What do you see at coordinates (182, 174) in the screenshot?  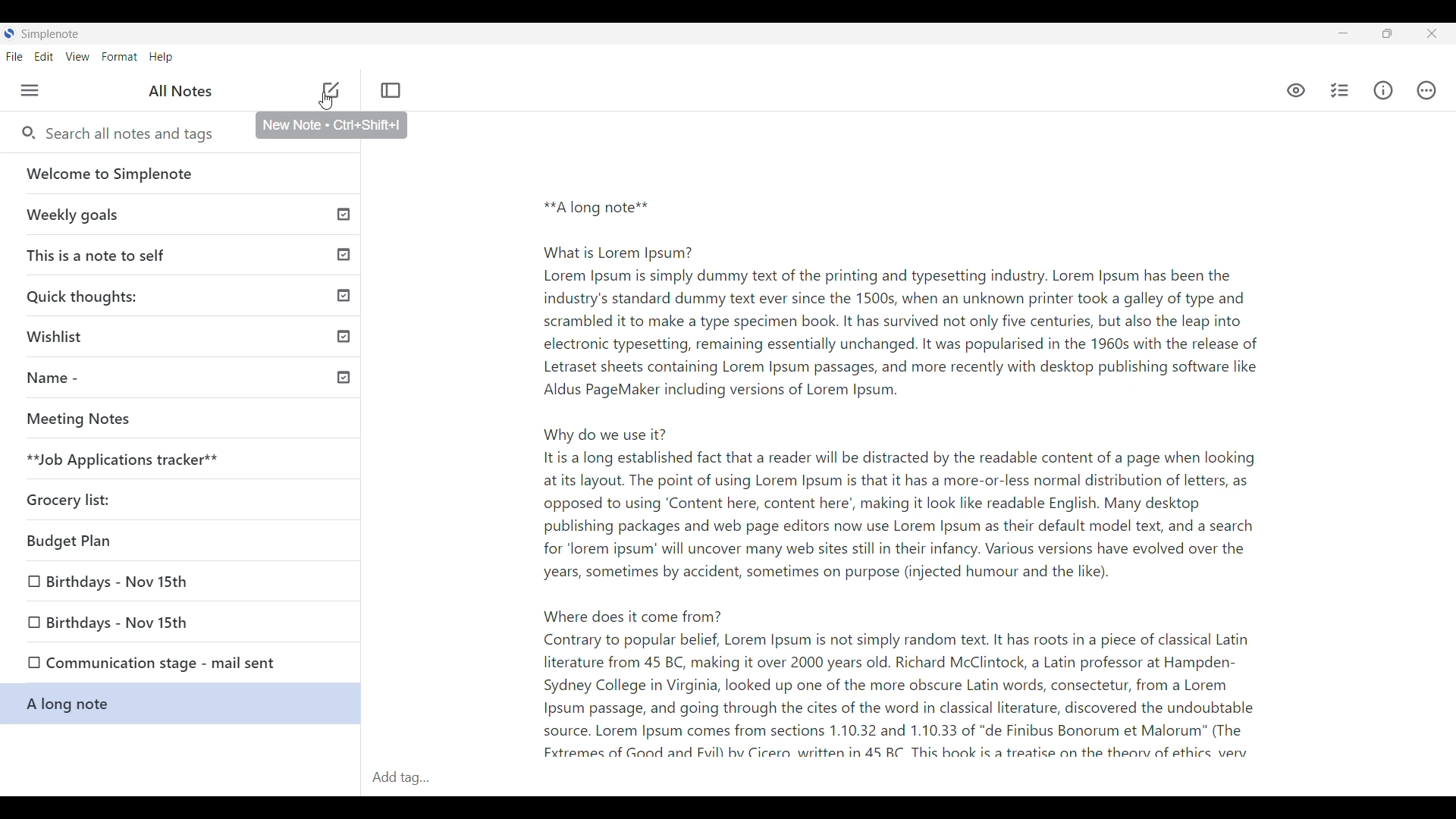 I see `Welcome to Simplenote` at bounding box center [182, 174].